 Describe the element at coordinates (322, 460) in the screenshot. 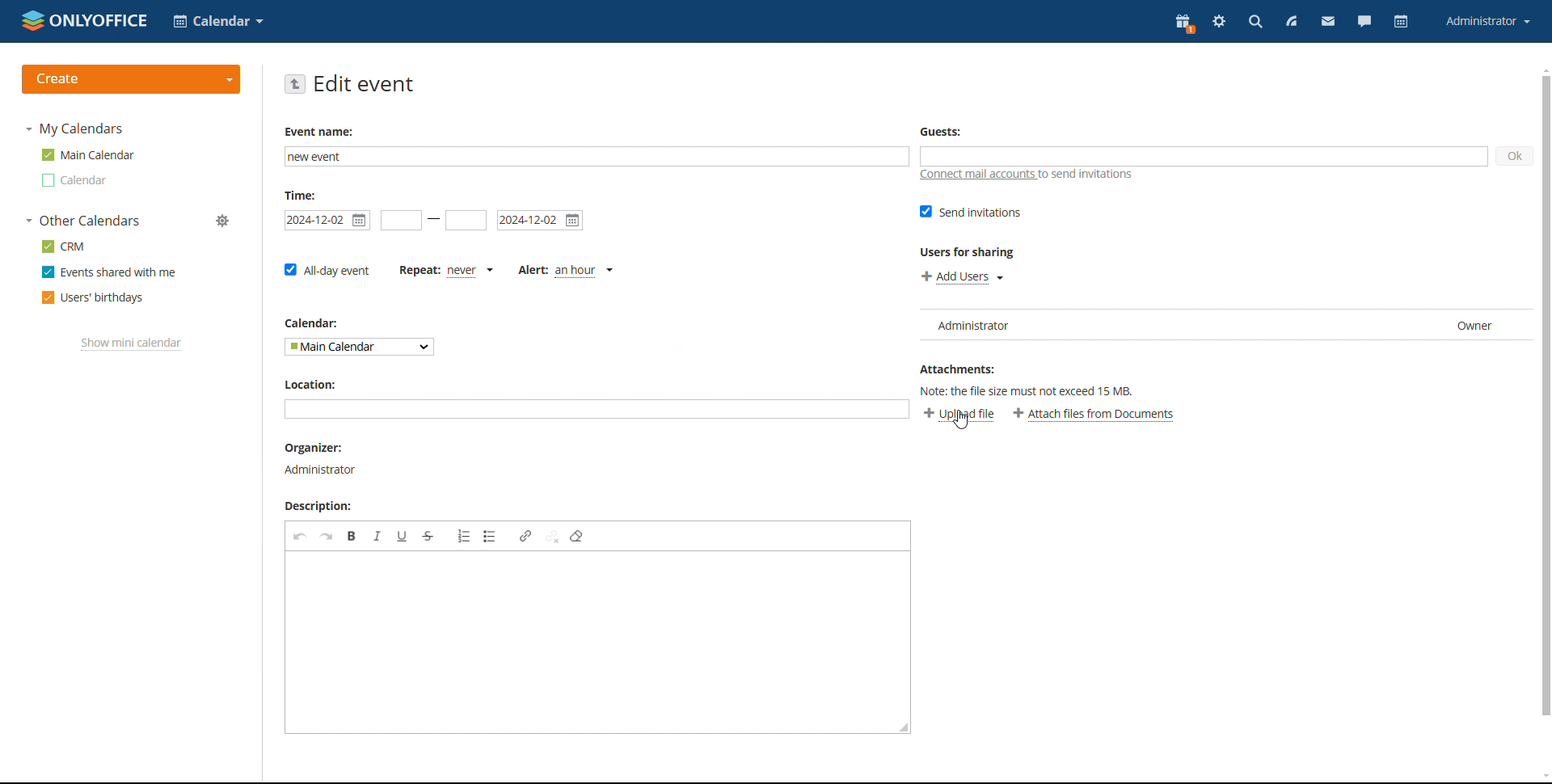

I see `organiser` at that location.